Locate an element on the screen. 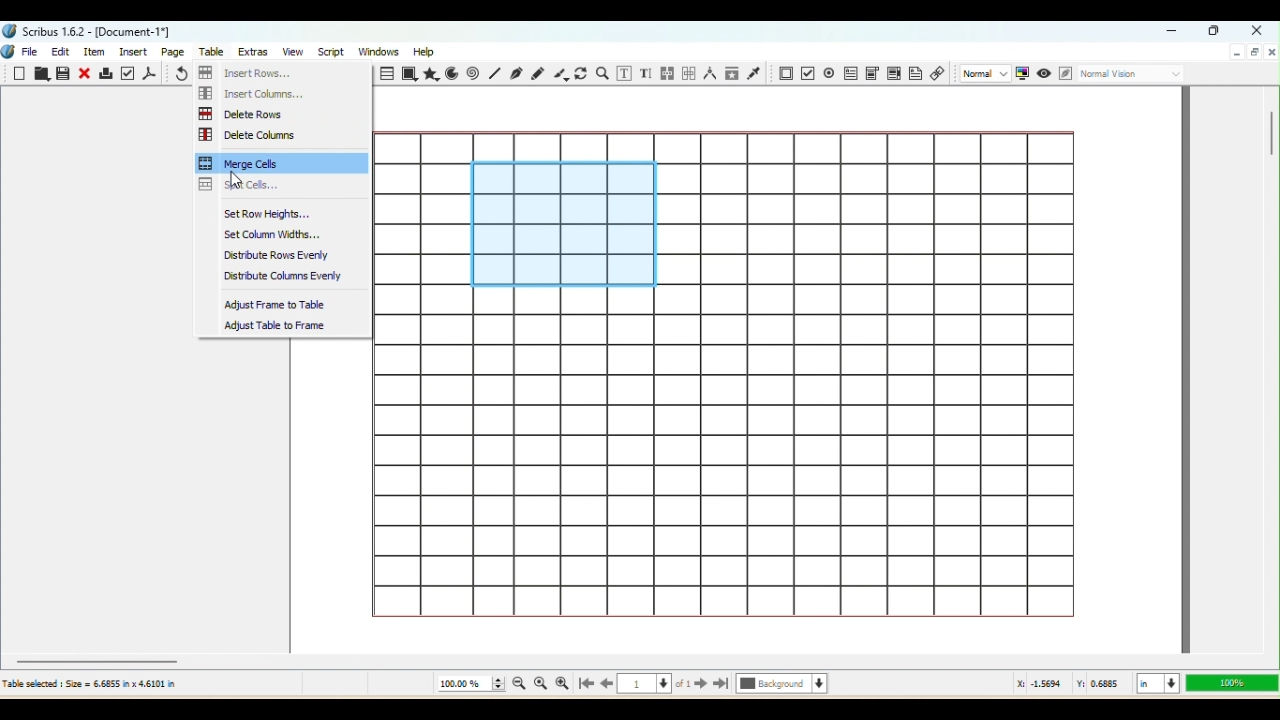  : 1.8413 Y: 1.5099 is located at coordinates (1070, 685).